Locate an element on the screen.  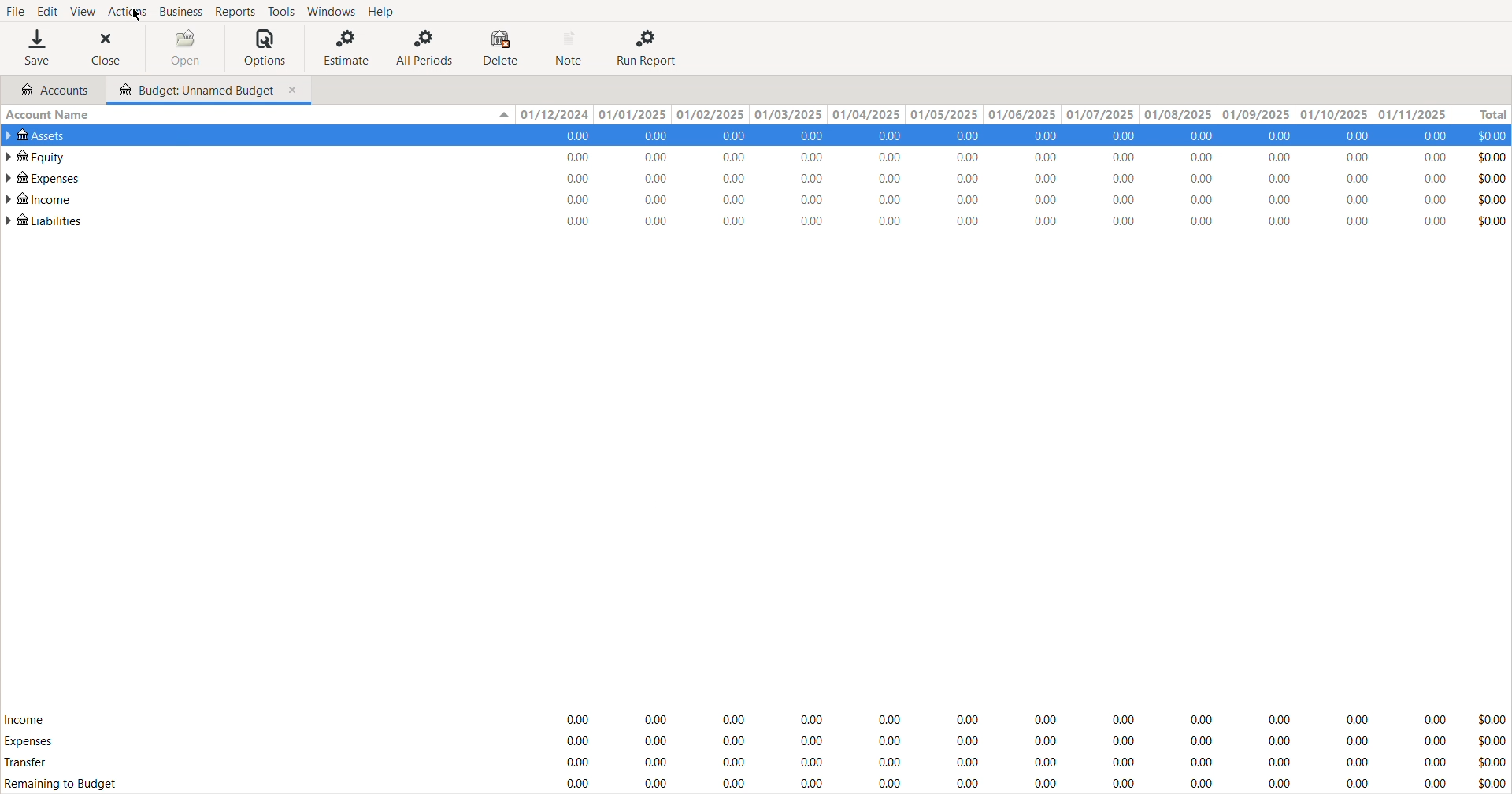
Actions is located at coordinates (127, 10).